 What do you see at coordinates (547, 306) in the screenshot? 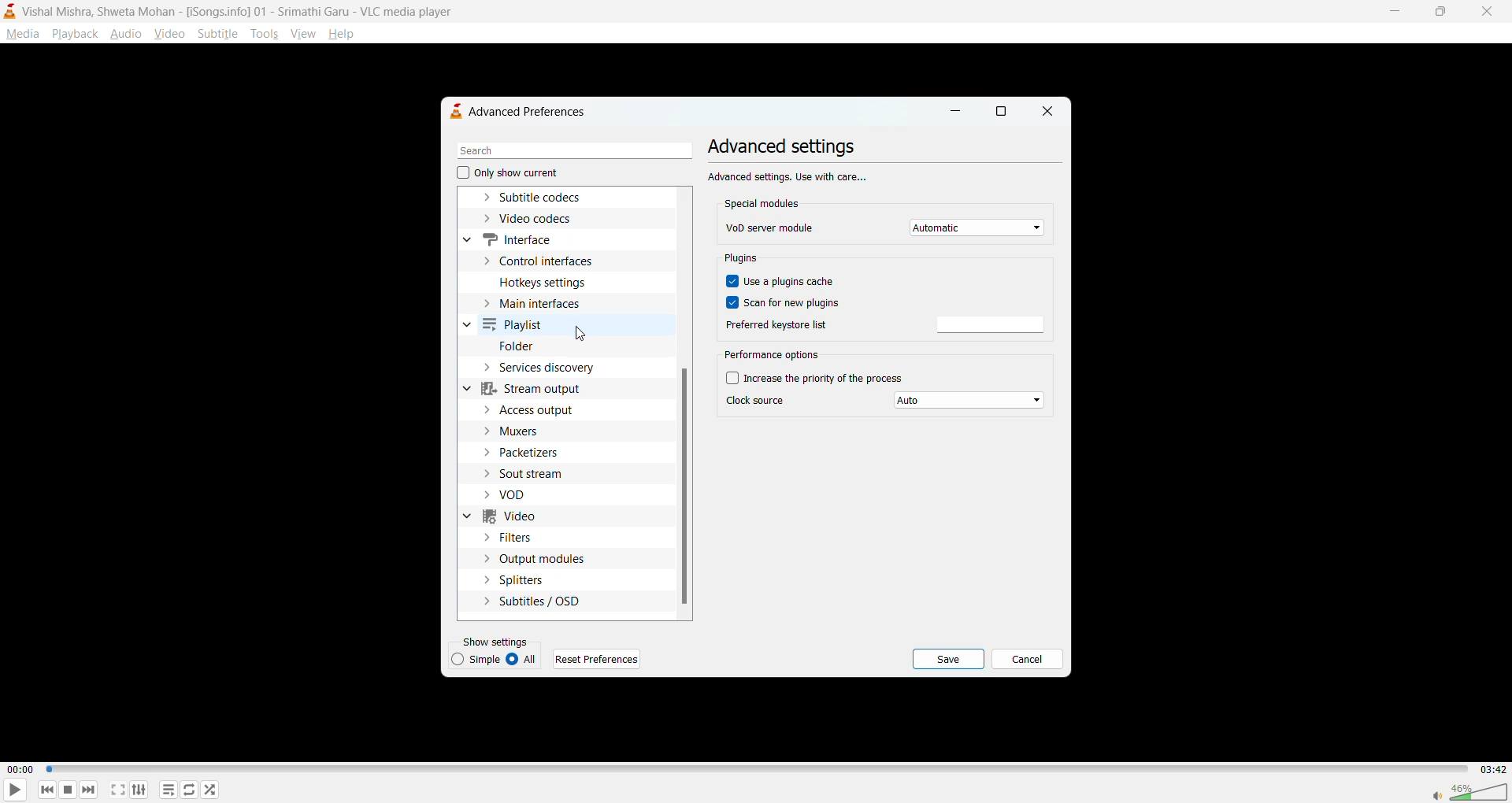
I see `main interfaces` at bounding box center [547, 306].